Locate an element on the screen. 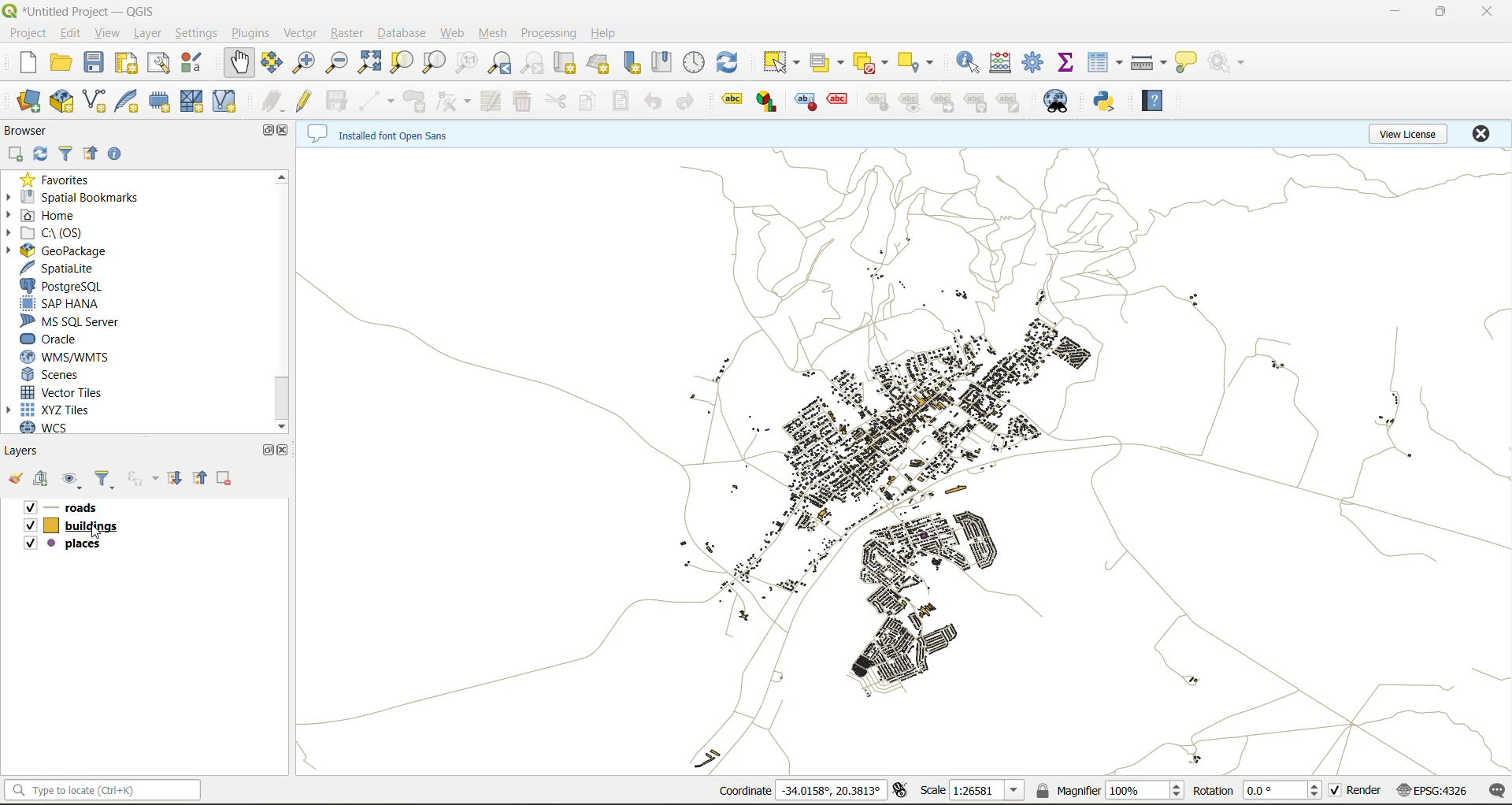 The height and width of the screenshot is (805, 1512). settings is located at coordinates (197, 33).